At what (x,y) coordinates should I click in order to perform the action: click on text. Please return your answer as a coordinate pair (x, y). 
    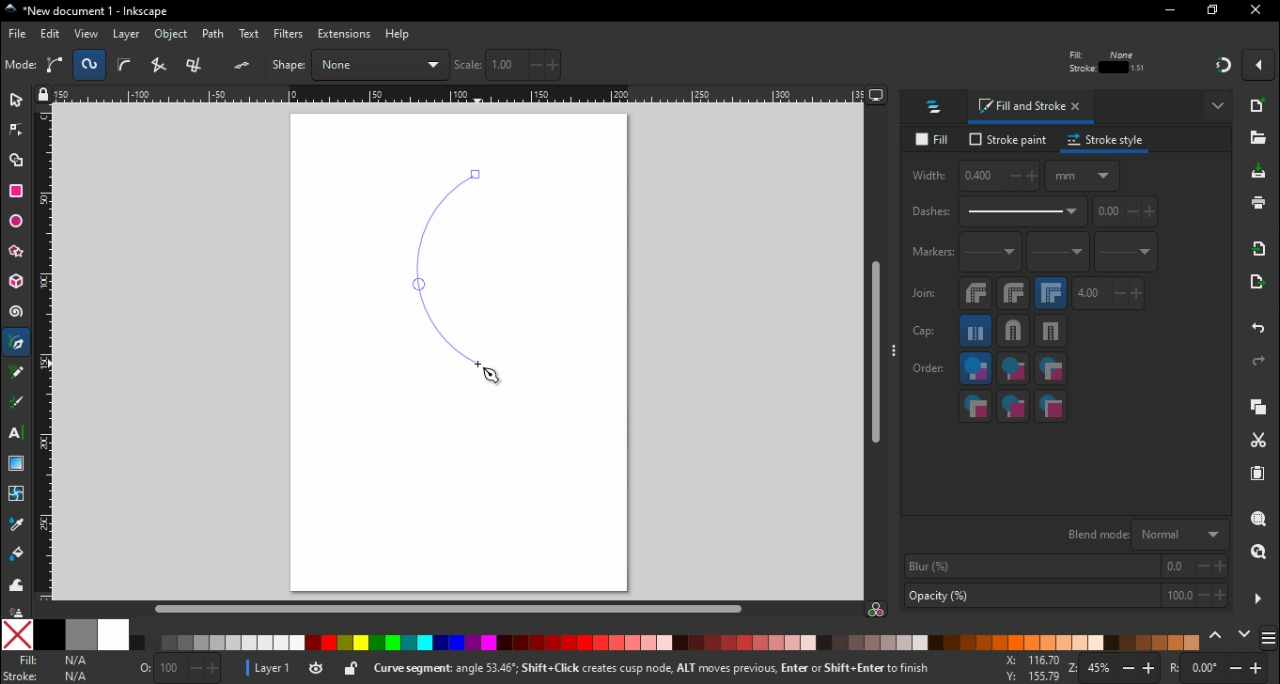
    Looking at the image, I should click on (250, 33).